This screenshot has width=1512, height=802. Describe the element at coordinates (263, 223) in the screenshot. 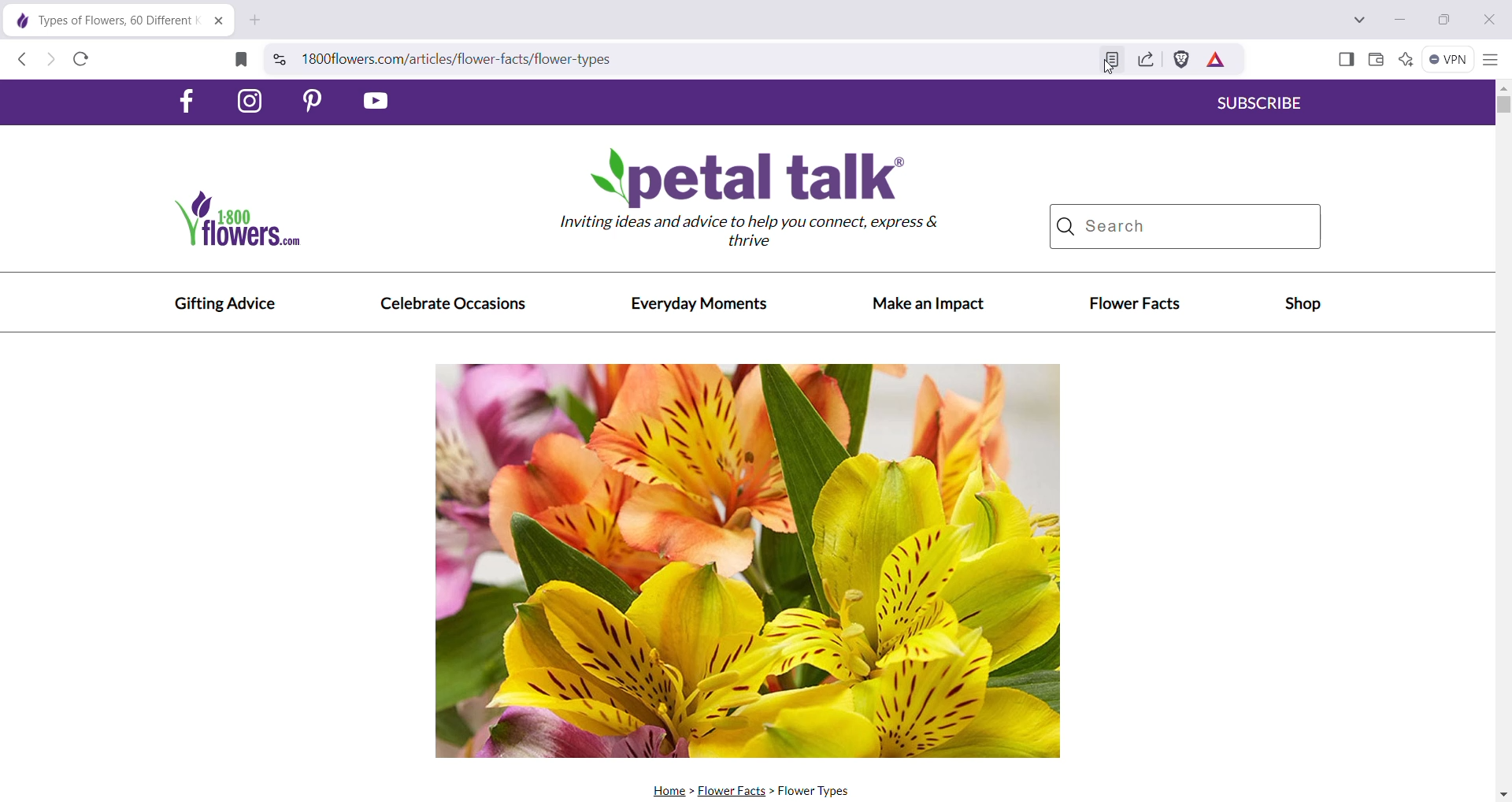

I see `1800flowers.com` at that location.